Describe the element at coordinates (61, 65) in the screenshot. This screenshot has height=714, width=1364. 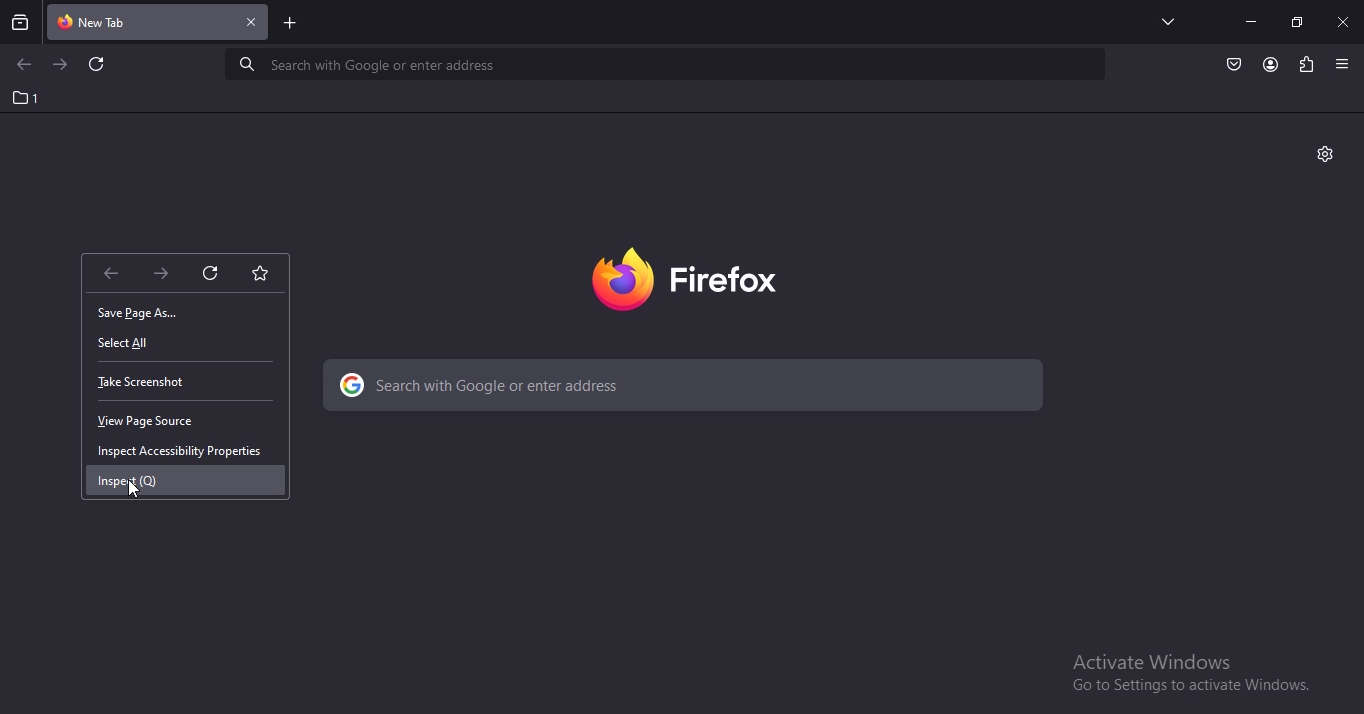
I see `go to next page` at that location.